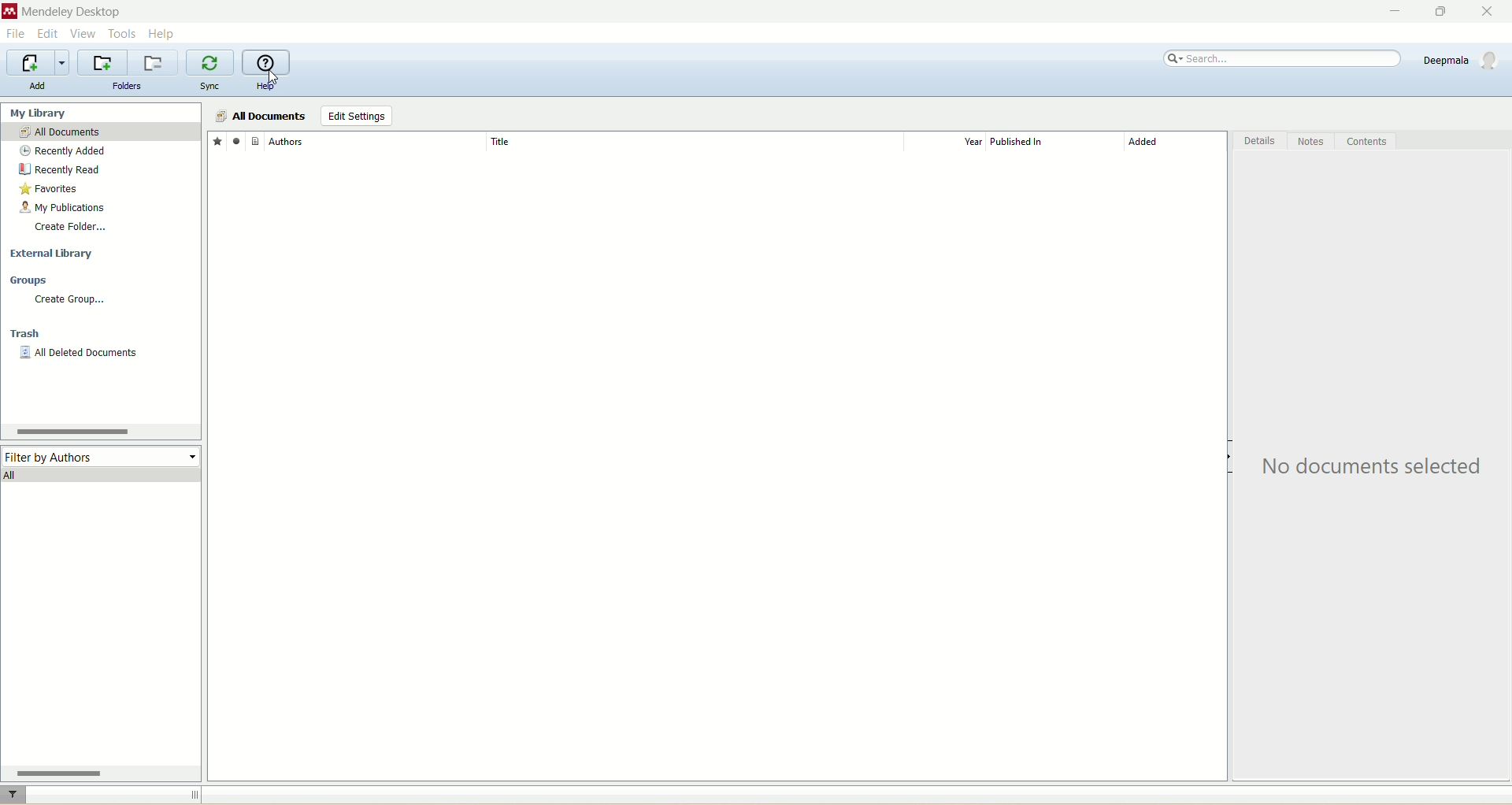 This screenshot has width=1512, height=805. What do you see at coordinates (267, 63) in the screenshot?
I see `online help guide for mendeley` at bounding box center [267, 63].